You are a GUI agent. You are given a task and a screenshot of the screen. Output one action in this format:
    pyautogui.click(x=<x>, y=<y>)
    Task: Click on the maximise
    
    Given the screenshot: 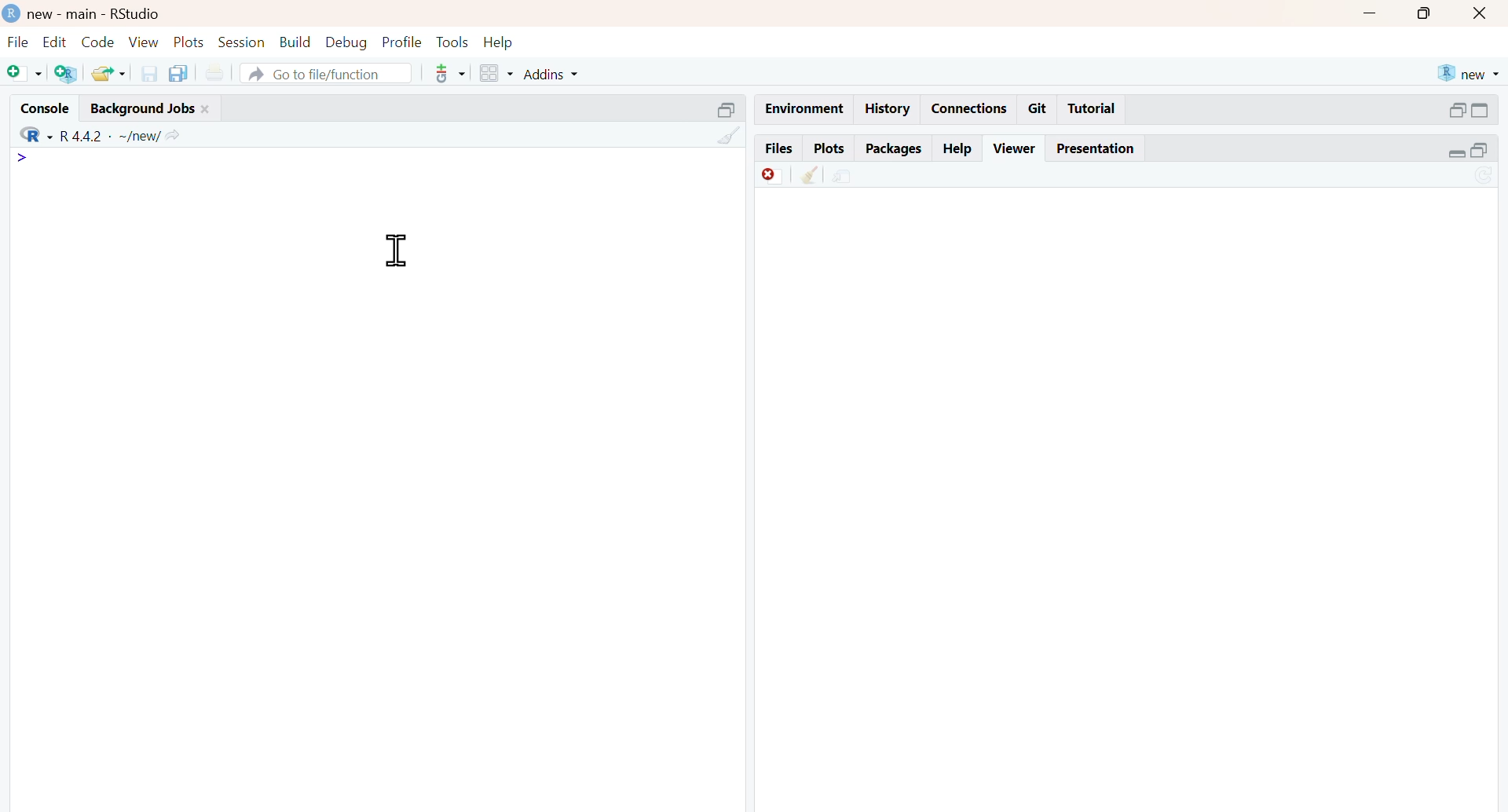 What is the action you would take?
    pyautogui.click(x=1426, y=12)
    